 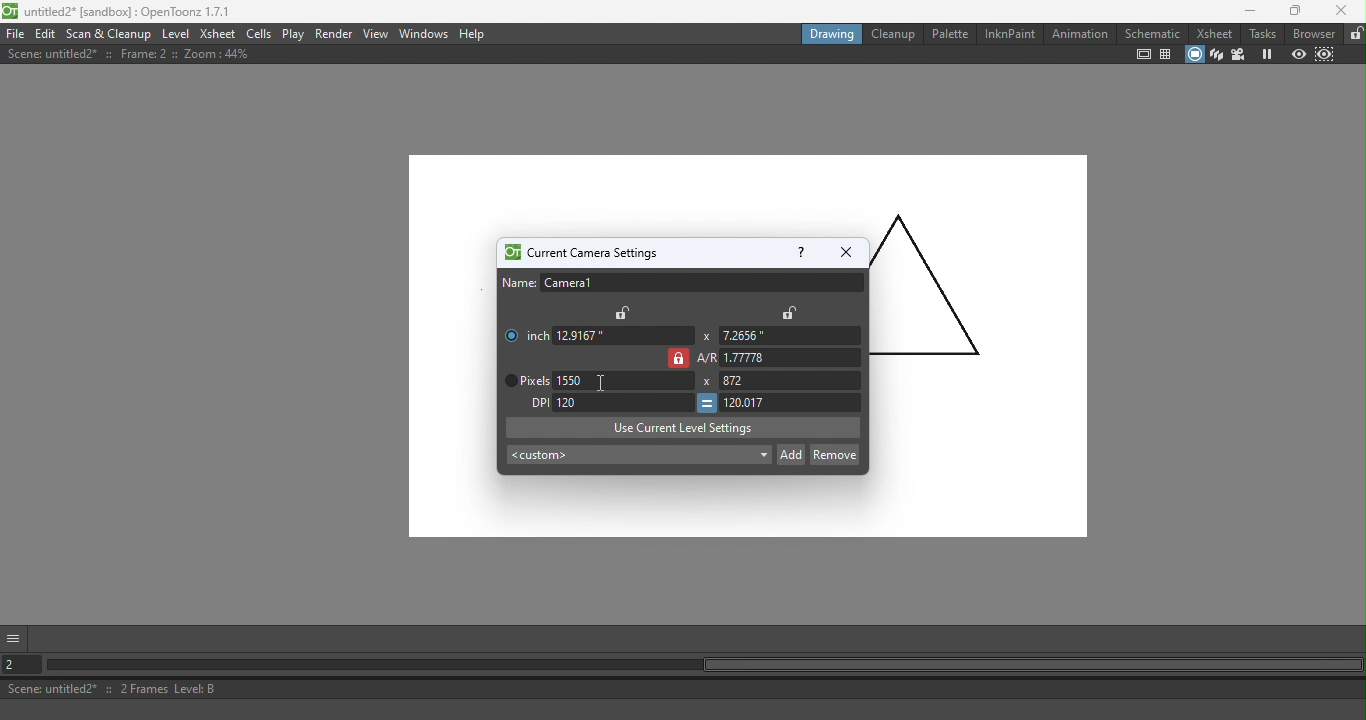 I want to click on Lock, so click(x=789, y=312).